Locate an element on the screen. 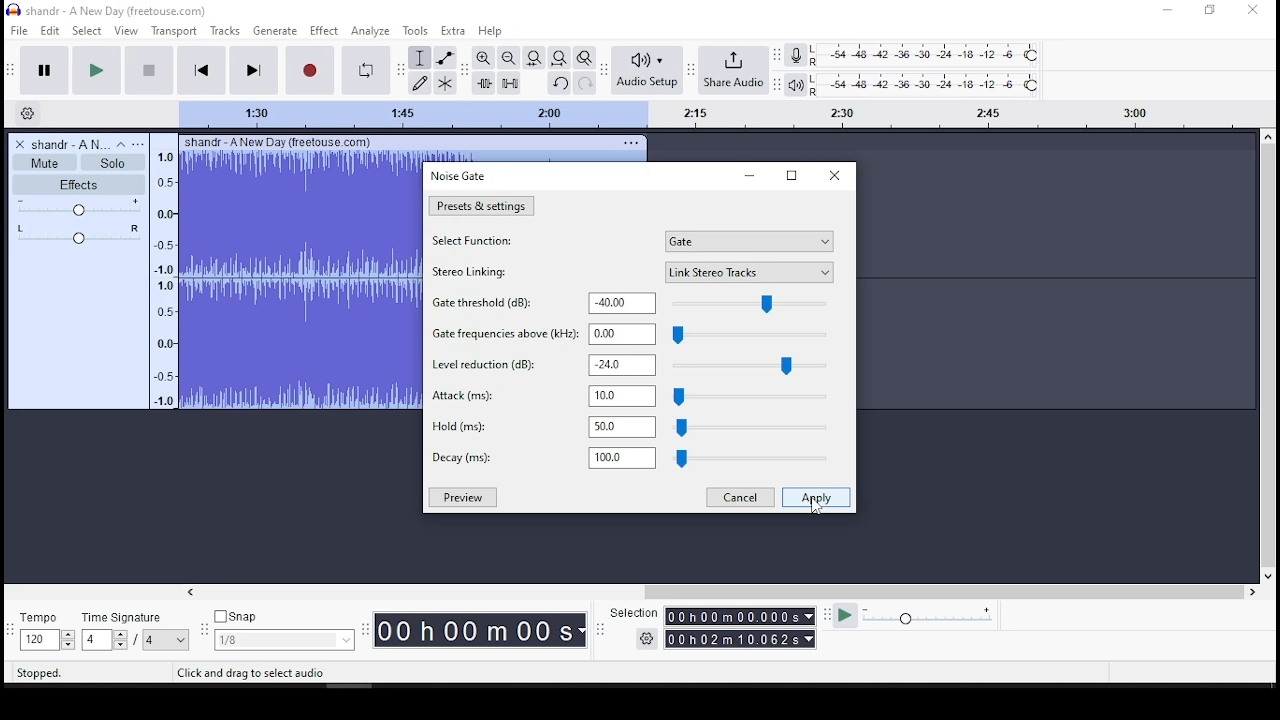  tracks is located at coordinates (225, 31).